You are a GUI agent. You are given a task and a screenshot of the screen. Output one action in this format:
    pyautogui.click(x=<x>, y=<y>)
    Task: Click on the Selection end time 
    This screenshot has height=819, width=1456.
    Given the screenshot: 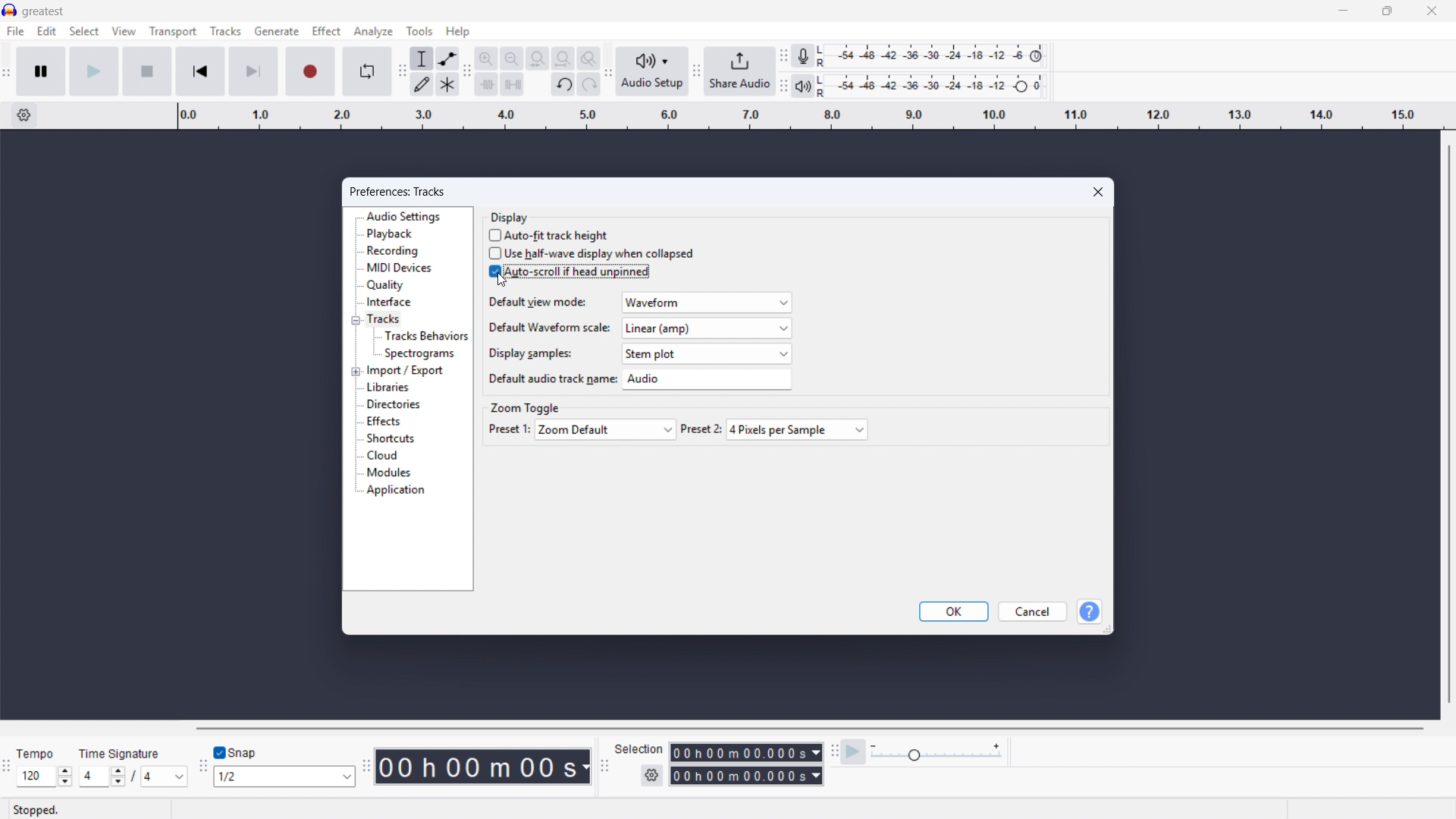 What is the action you would take?
    pyautogui.click(x=747, y=777)
    